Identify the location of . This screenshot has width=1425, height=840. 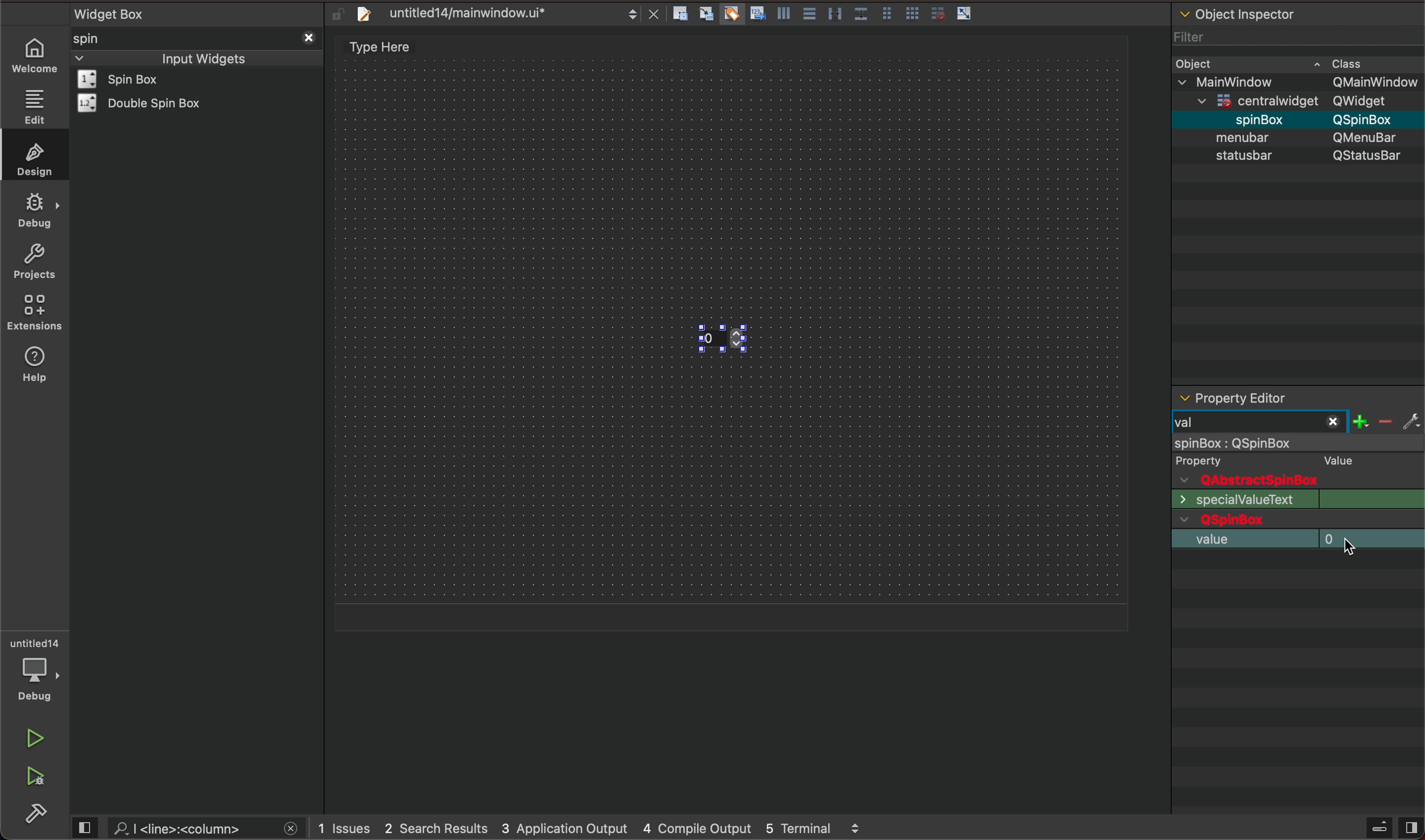
(1369, 101).